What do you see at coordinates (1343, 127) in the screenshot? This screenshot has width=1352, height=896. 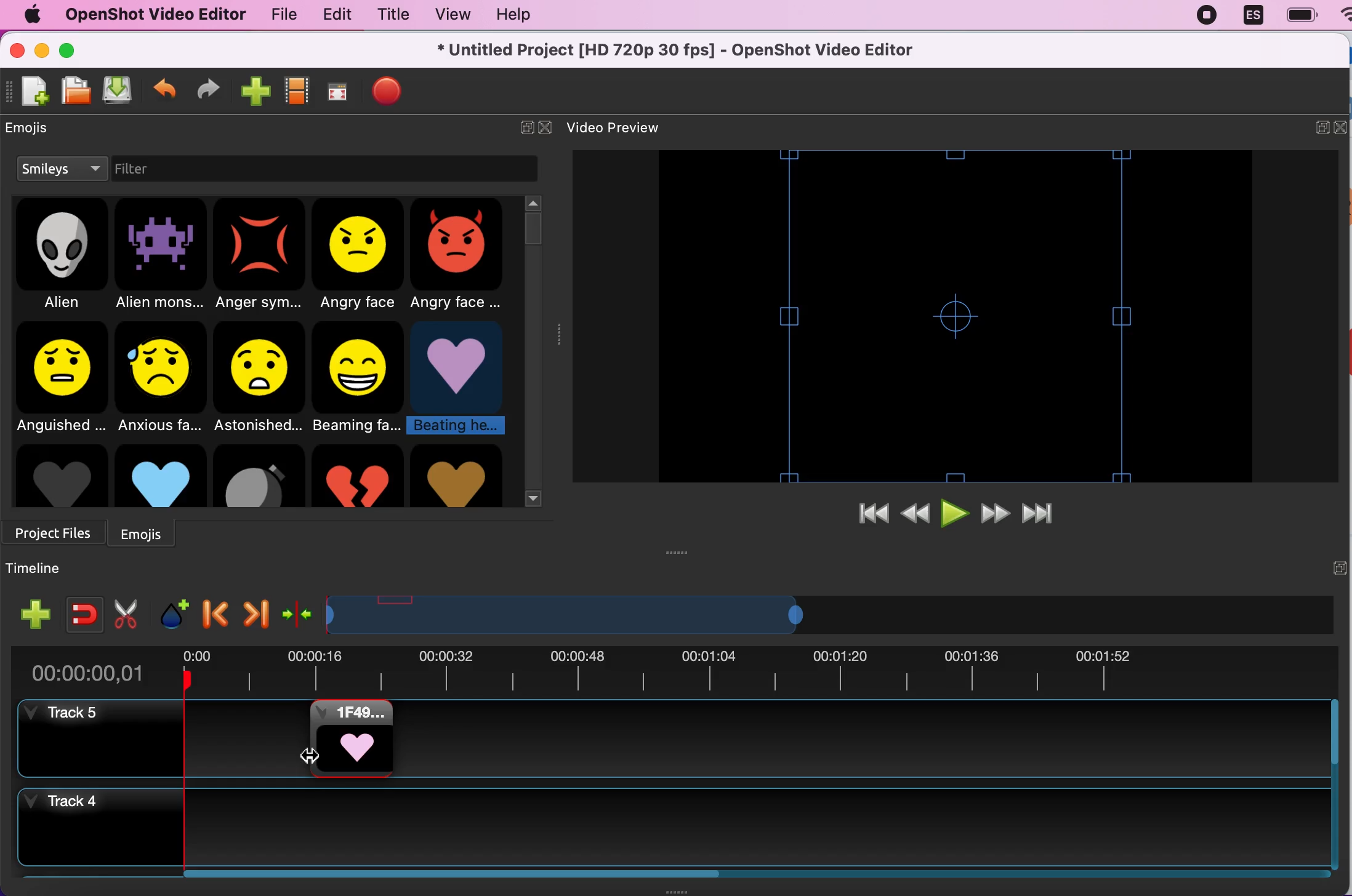 I see `close` at bounding box center [1343, 127].